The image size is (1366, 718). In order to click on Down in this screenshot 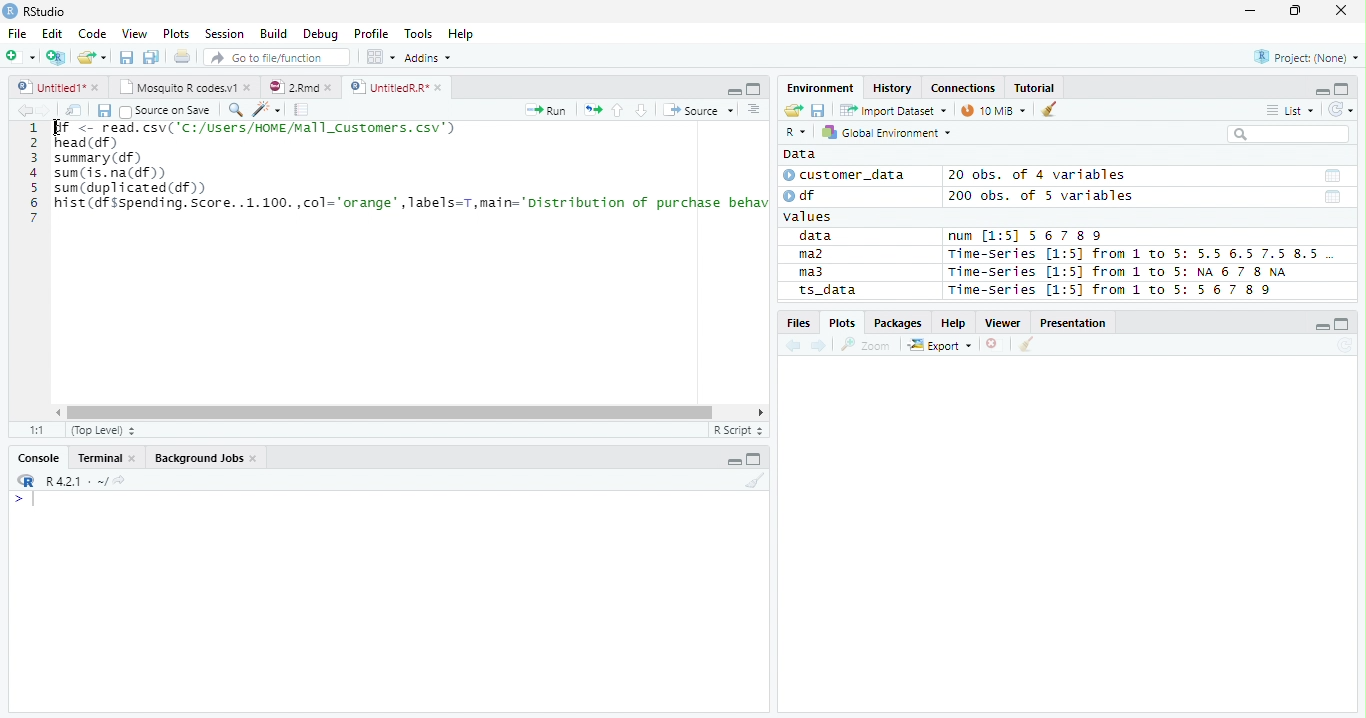, I will do `click(641, 111)`.